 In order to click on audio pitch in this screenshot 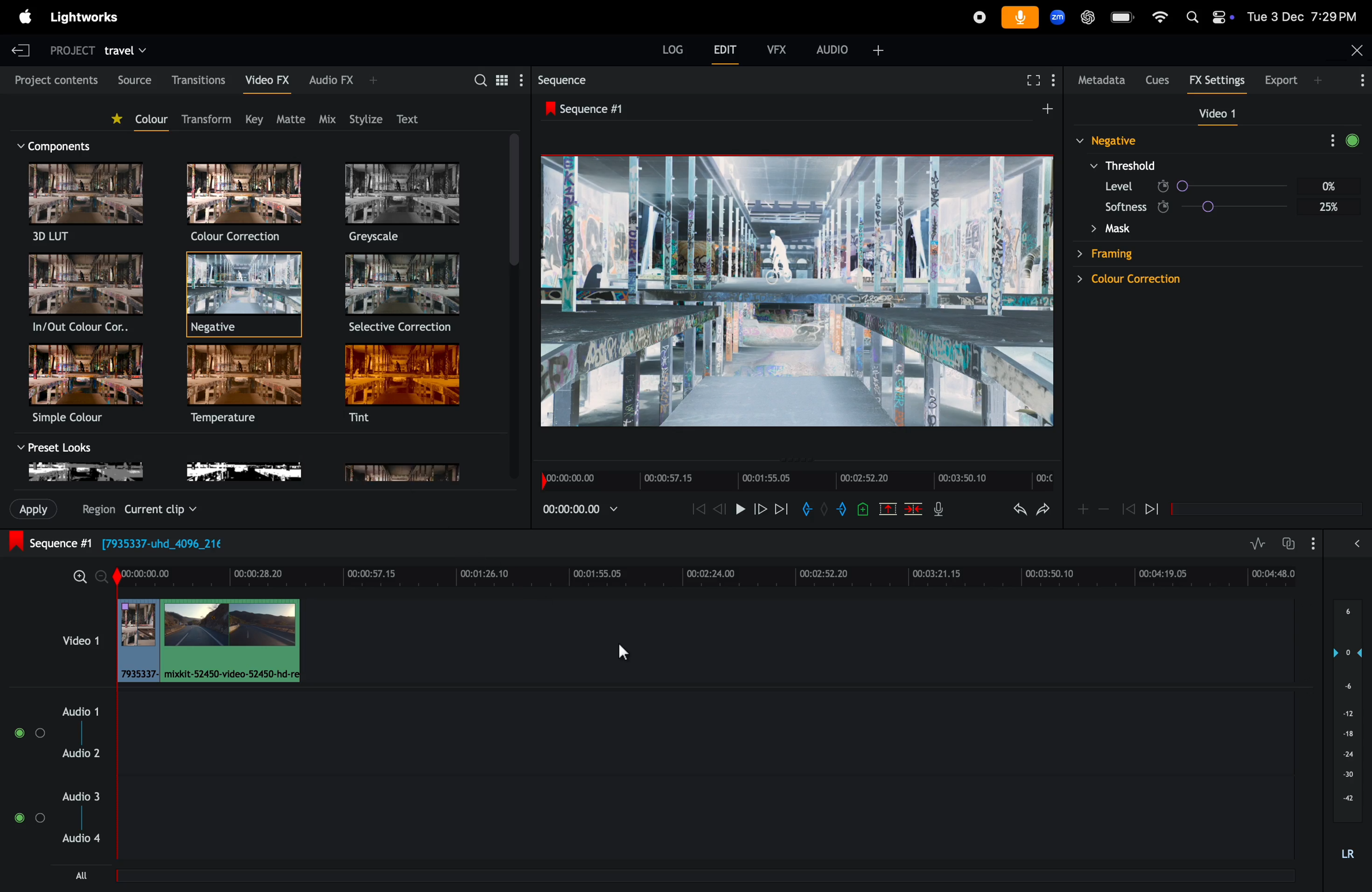, I will do `click(1351, 731)`.